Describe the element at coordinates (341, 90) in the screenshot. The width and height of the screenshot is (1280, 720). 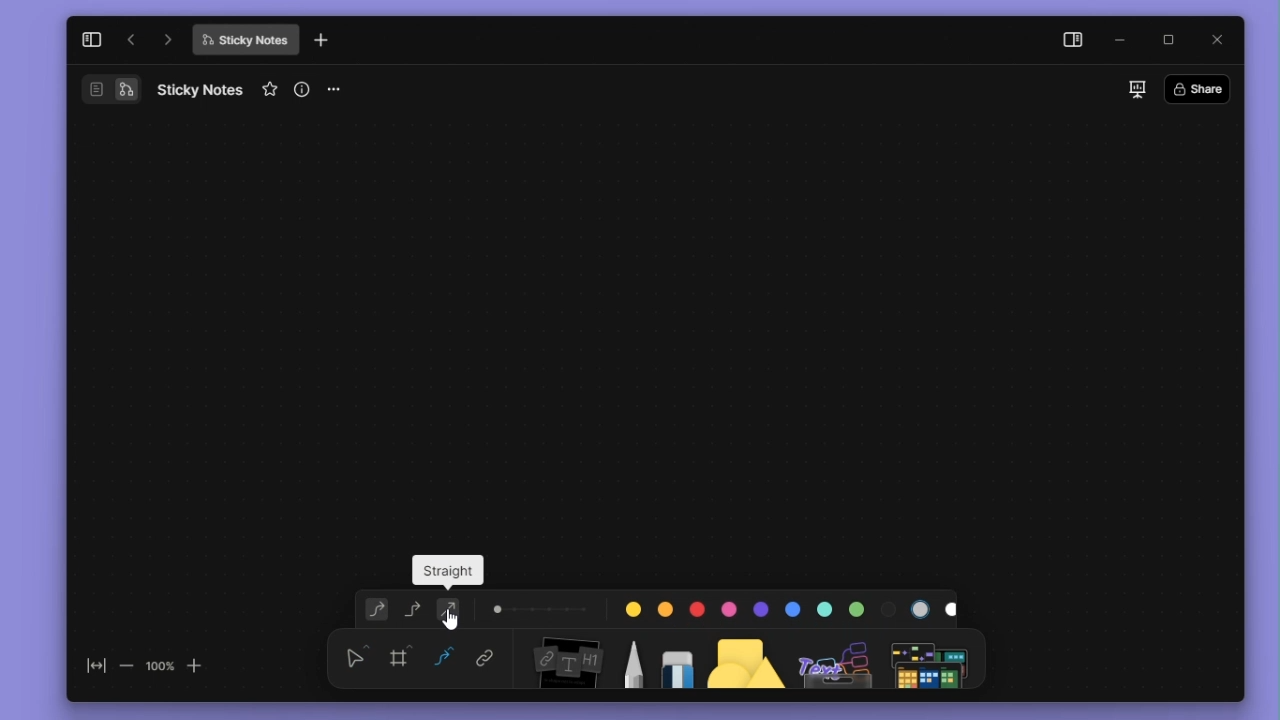
I see `more` at that location.